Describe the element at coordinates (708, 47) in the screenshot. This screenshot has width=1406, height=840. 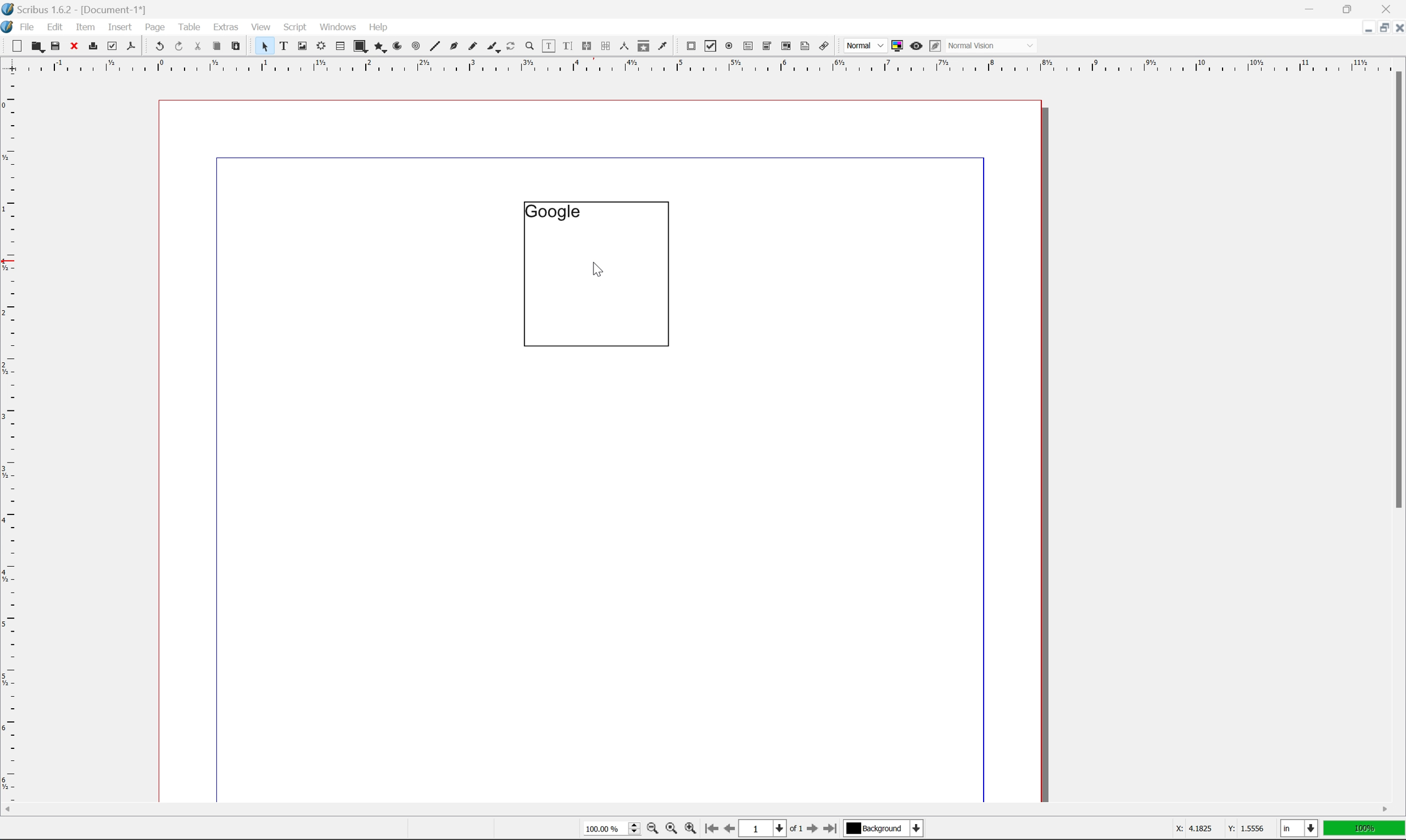
I see `pdf checkbox` at that location.